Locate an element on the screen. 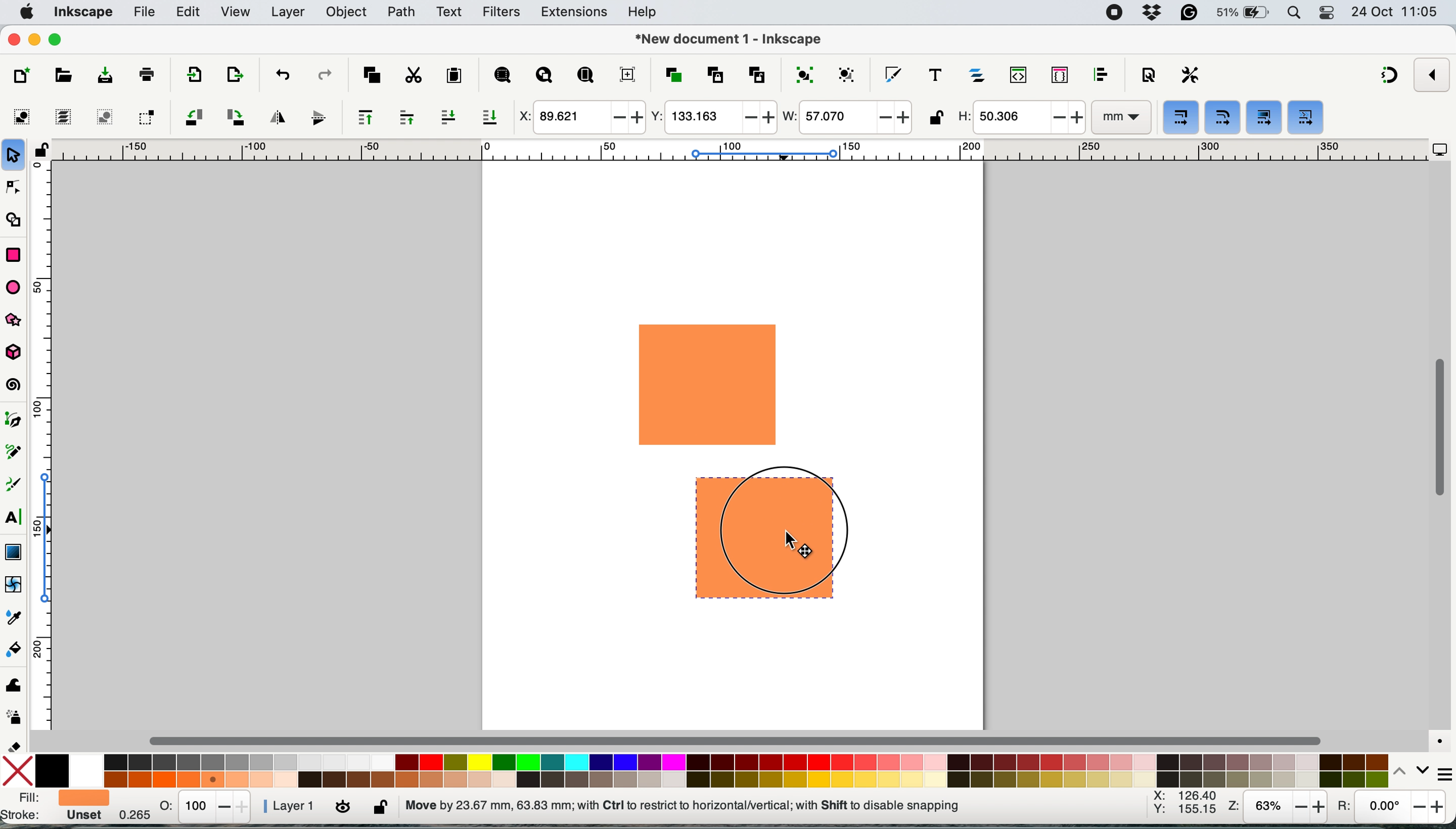  fill and stroke is located at coordinates (54, 808).